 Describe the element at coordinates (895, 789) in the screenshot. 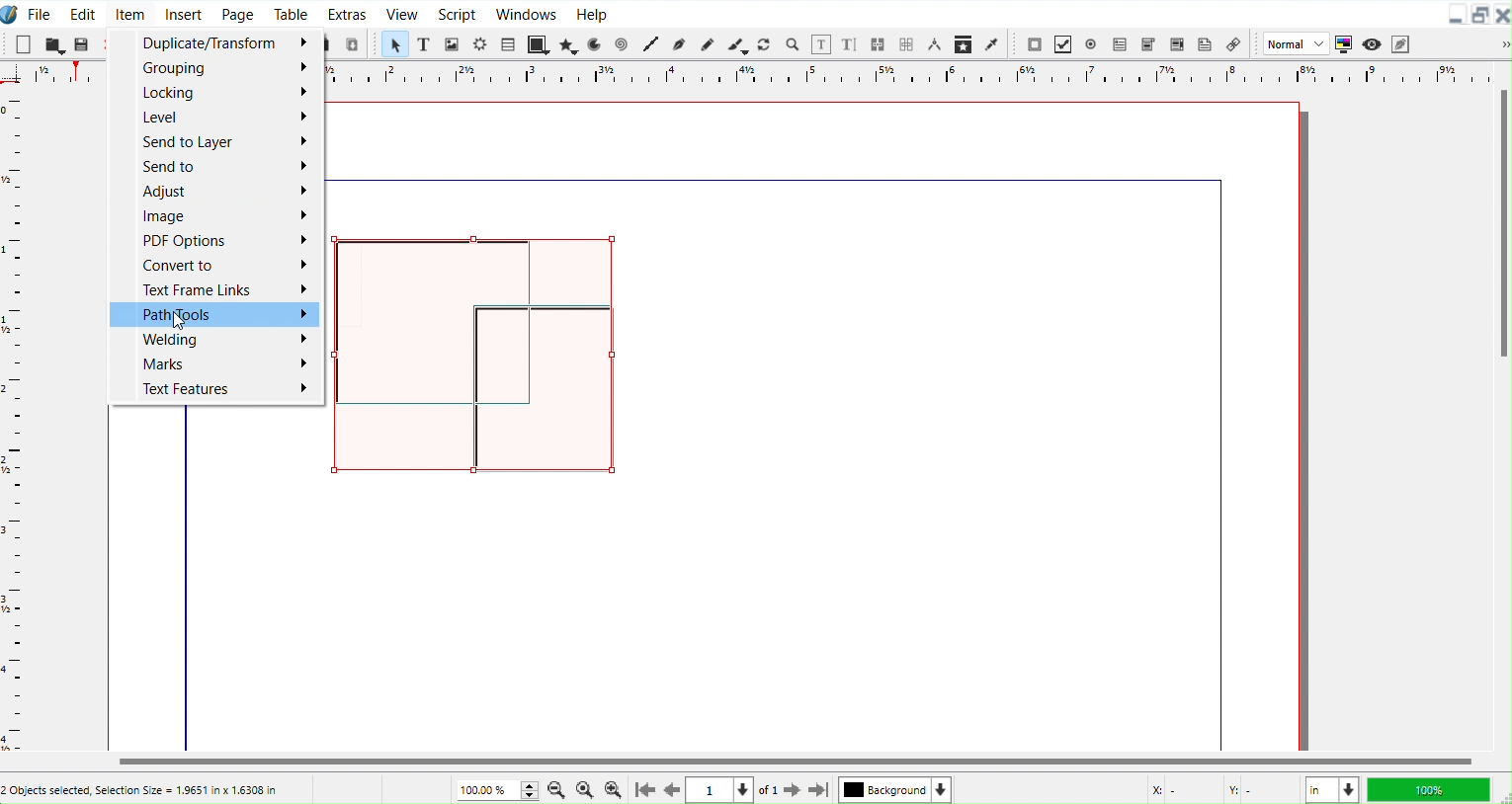

I see `Select current layer` at that location.